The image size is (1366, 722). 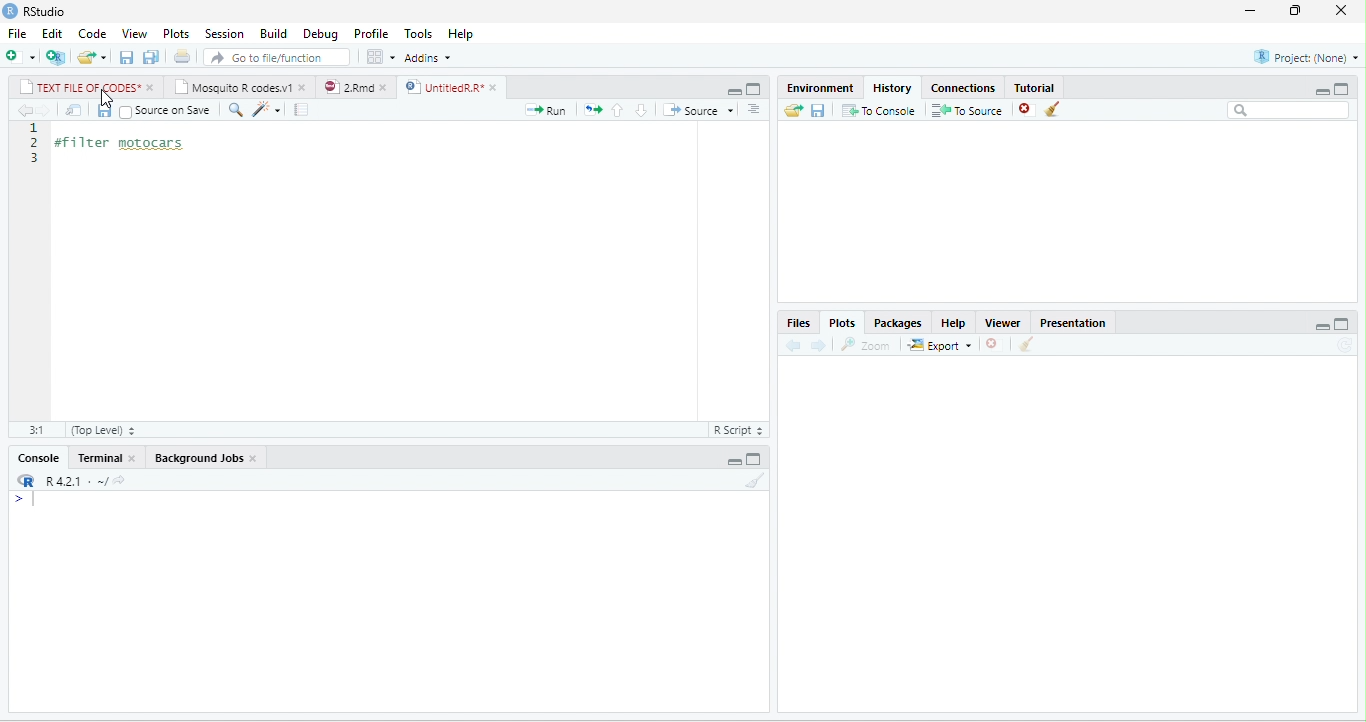 What do you see at coordinates (104, 430) in the screenshot?
I see `Top Level` at bounding box center [104, 430].